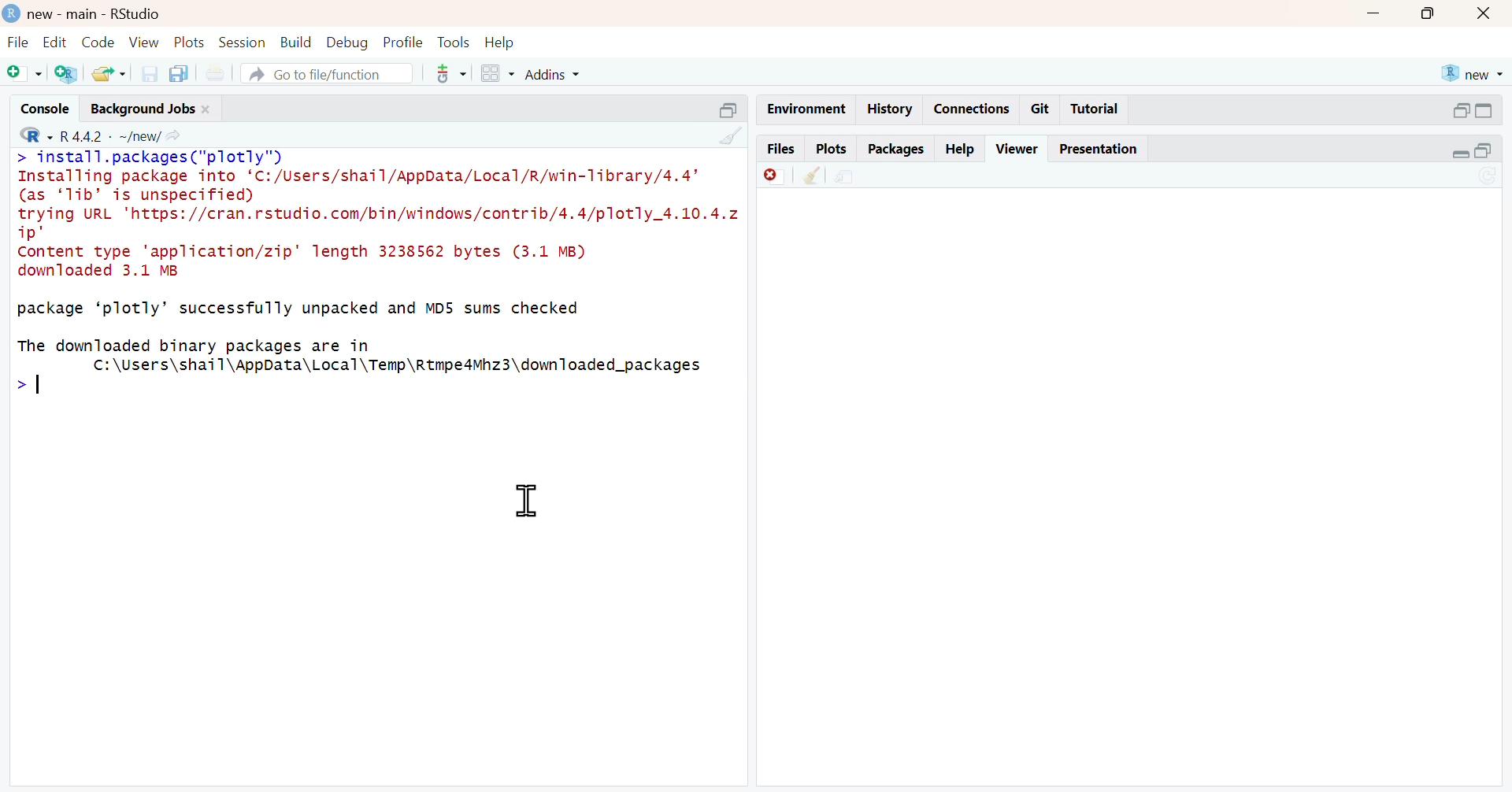 The image size is (1512, 792). I want to click on minimize, so click(1458, 155).